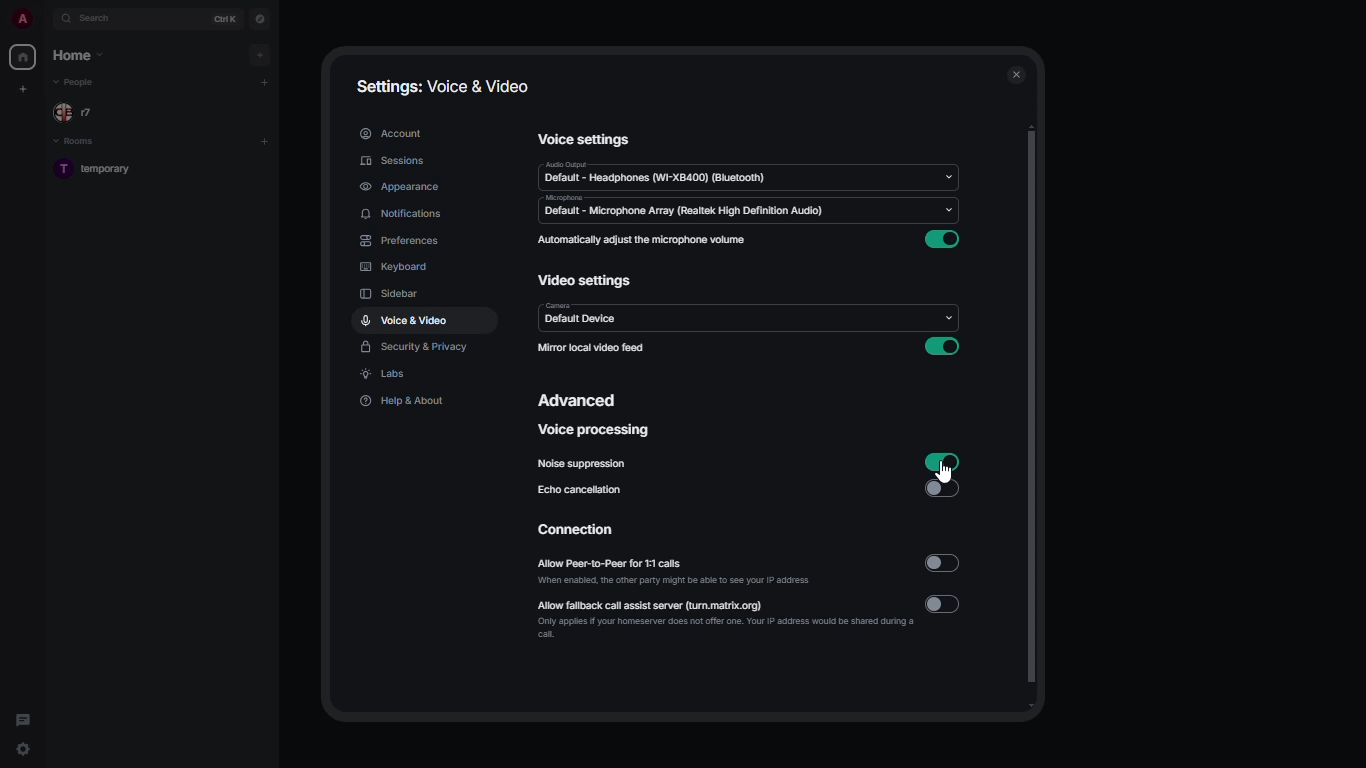 The height and width of the screenshot is (768, 1366). What do you see at coordinates (942, 604) in the screenshot?
I see `disabled` at bounding box center [942, 604].